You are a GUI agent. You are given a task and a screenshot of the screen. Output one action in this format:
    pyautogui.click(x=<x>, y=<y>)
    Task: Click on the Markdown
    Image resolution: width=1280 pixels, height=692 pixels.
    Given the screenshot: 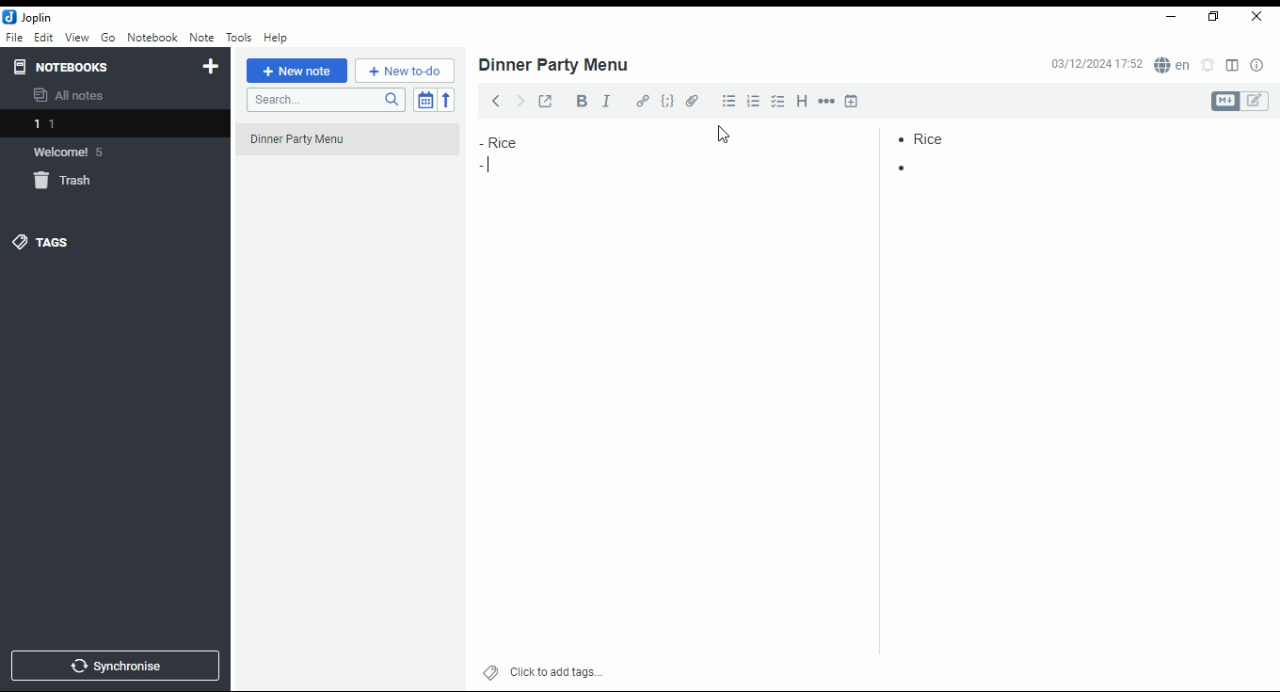 What is the action you would take?
    pyautogui.click(x=1224, y=101)
    